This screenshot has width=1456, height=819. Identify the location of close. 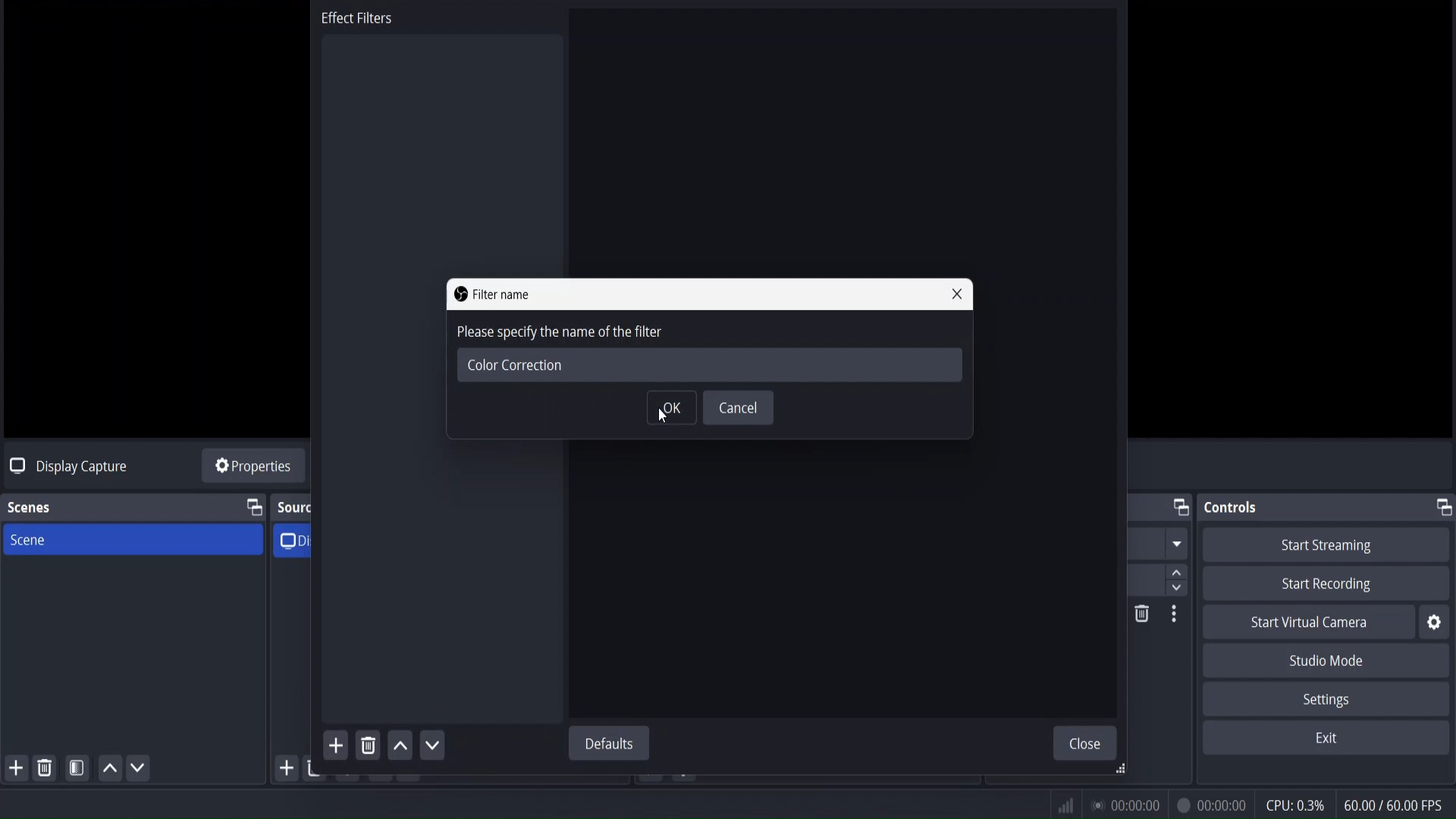
(1088, 743).